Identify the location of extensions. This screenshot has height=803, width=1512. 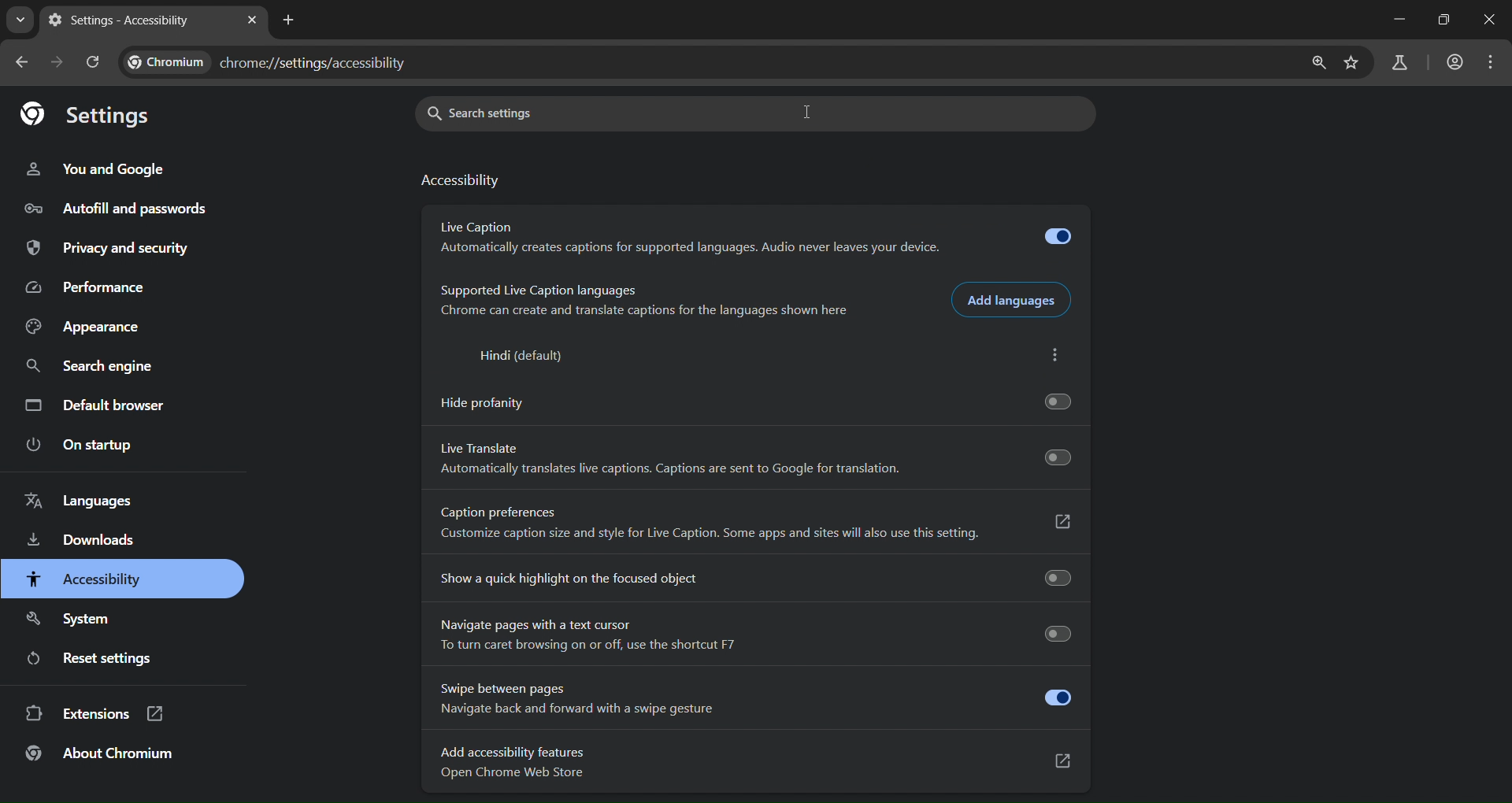
(103, 716).